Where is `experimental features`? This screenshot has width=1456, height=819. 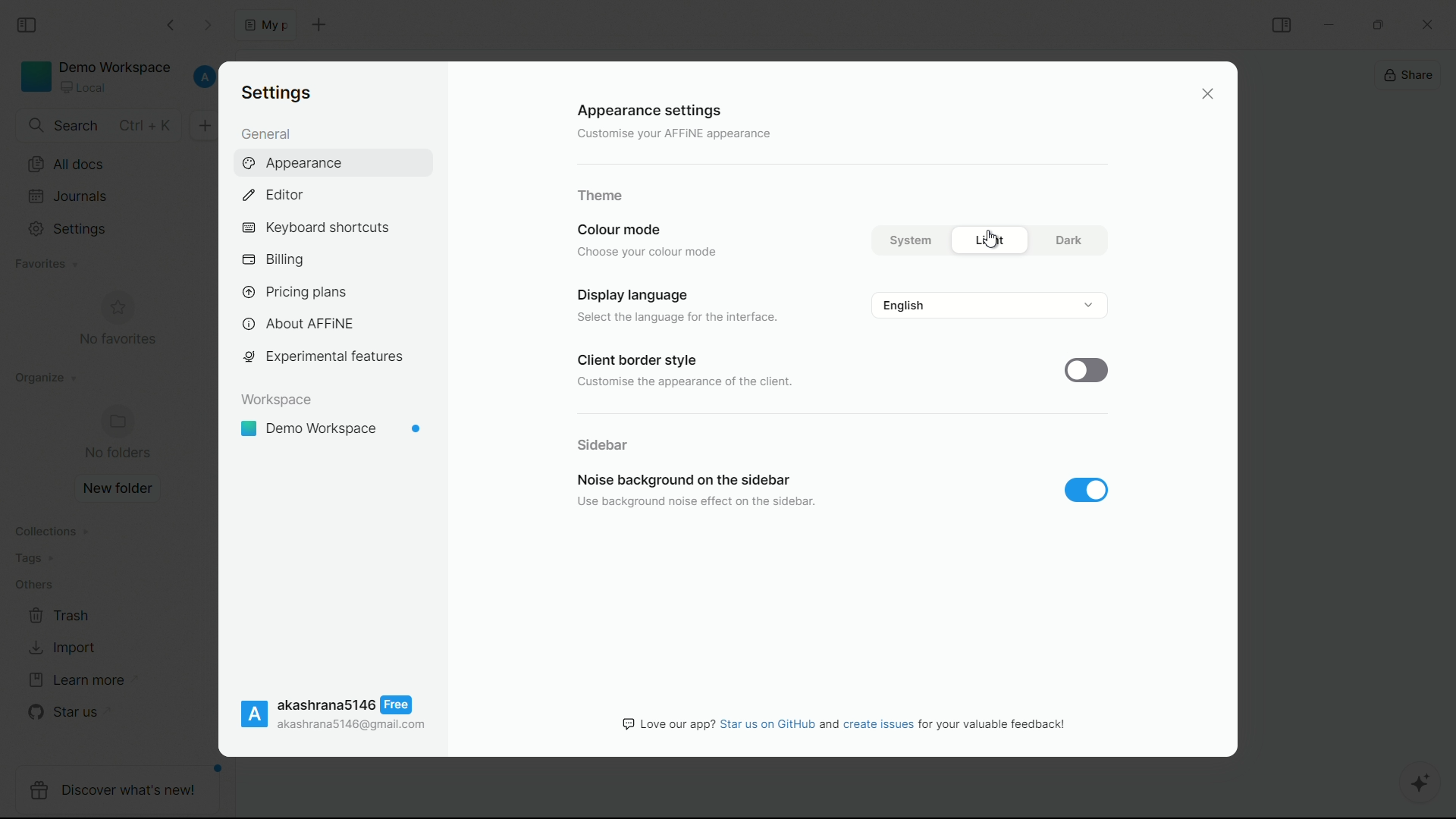 experimental features is located at coordinates (322, 357).